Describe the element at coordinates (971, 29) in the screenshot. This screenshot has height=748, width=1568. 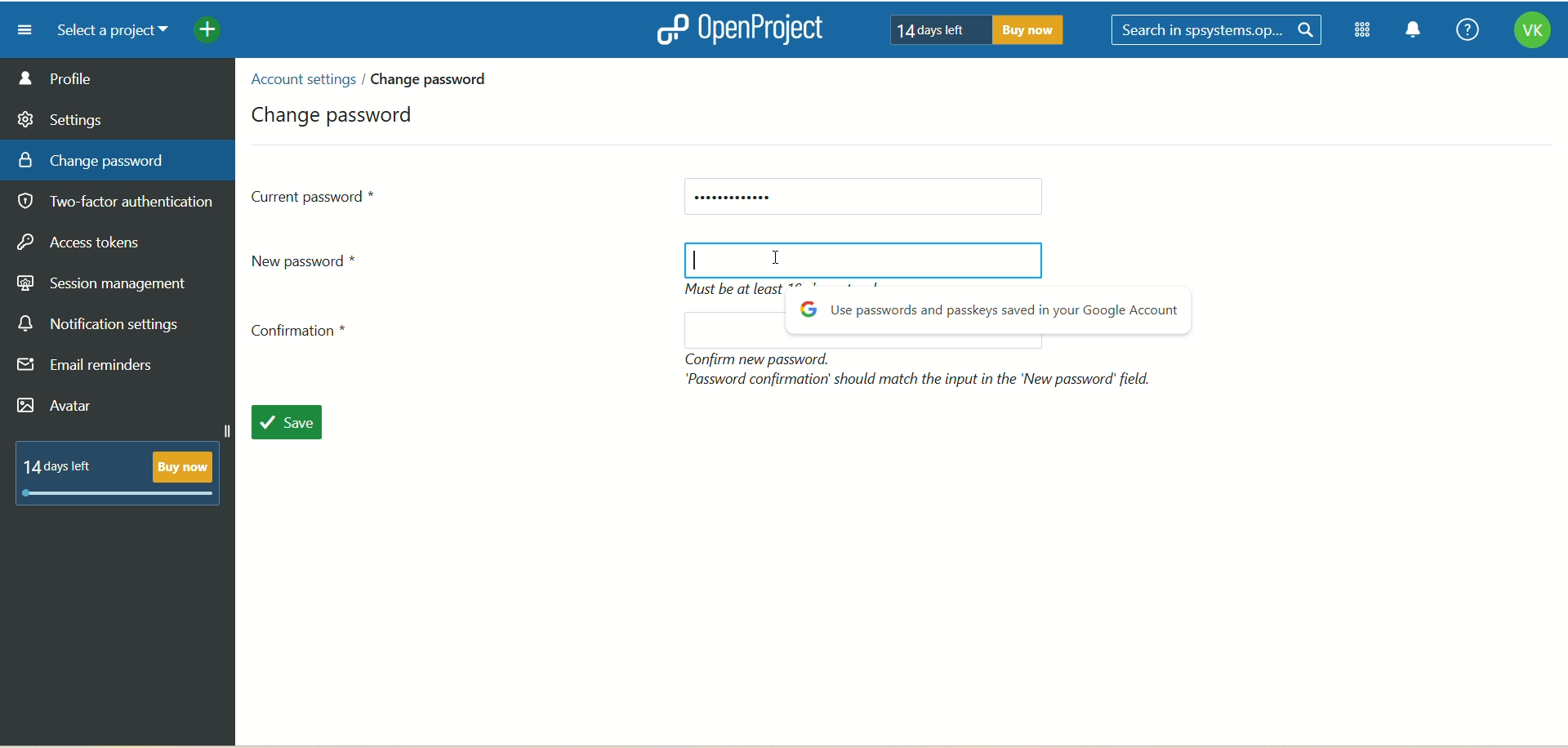
I see `text` at that location.